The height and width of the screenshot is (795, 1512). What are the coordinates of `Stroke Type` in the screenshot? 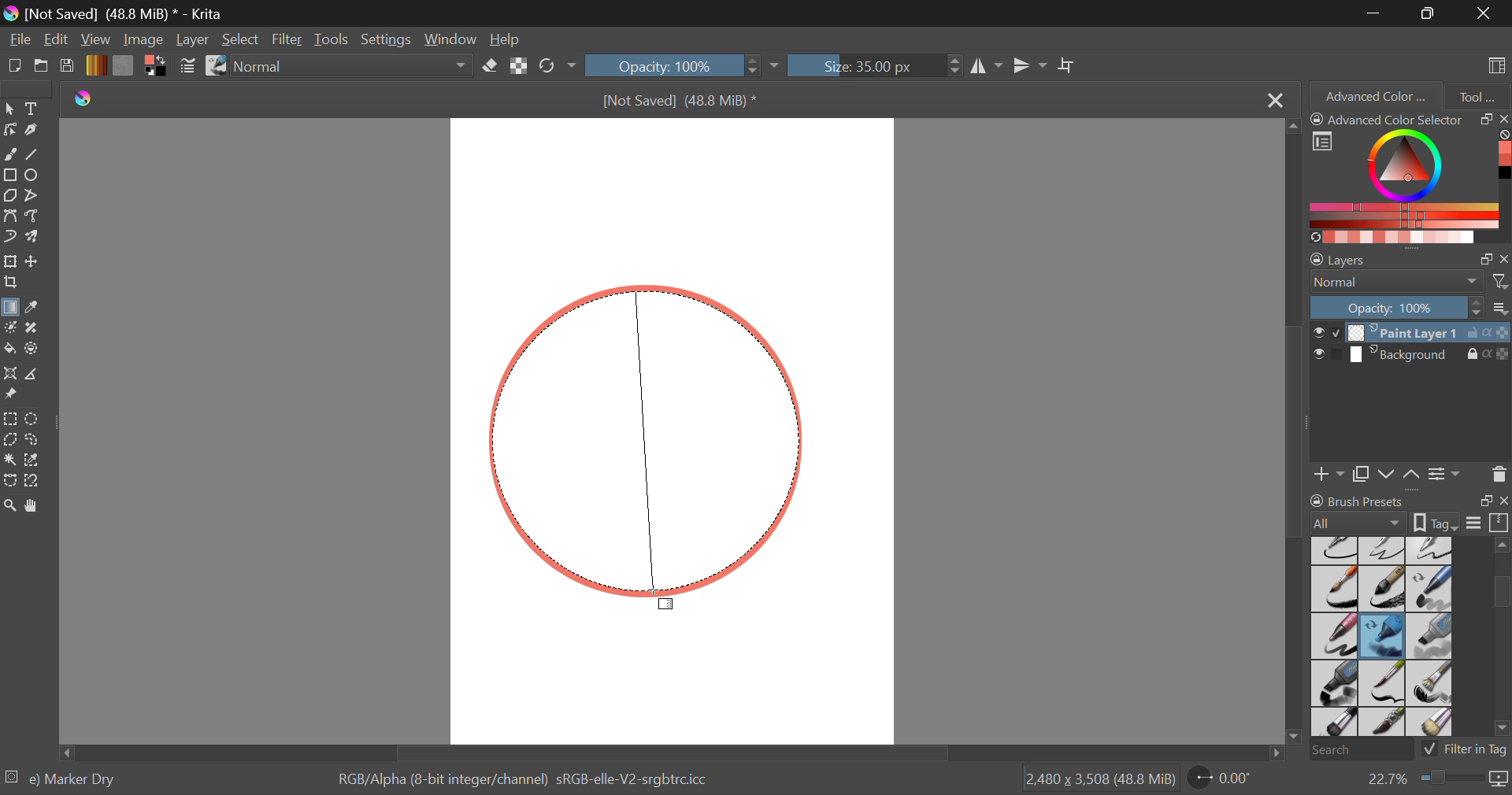 It's located at (215, 67).